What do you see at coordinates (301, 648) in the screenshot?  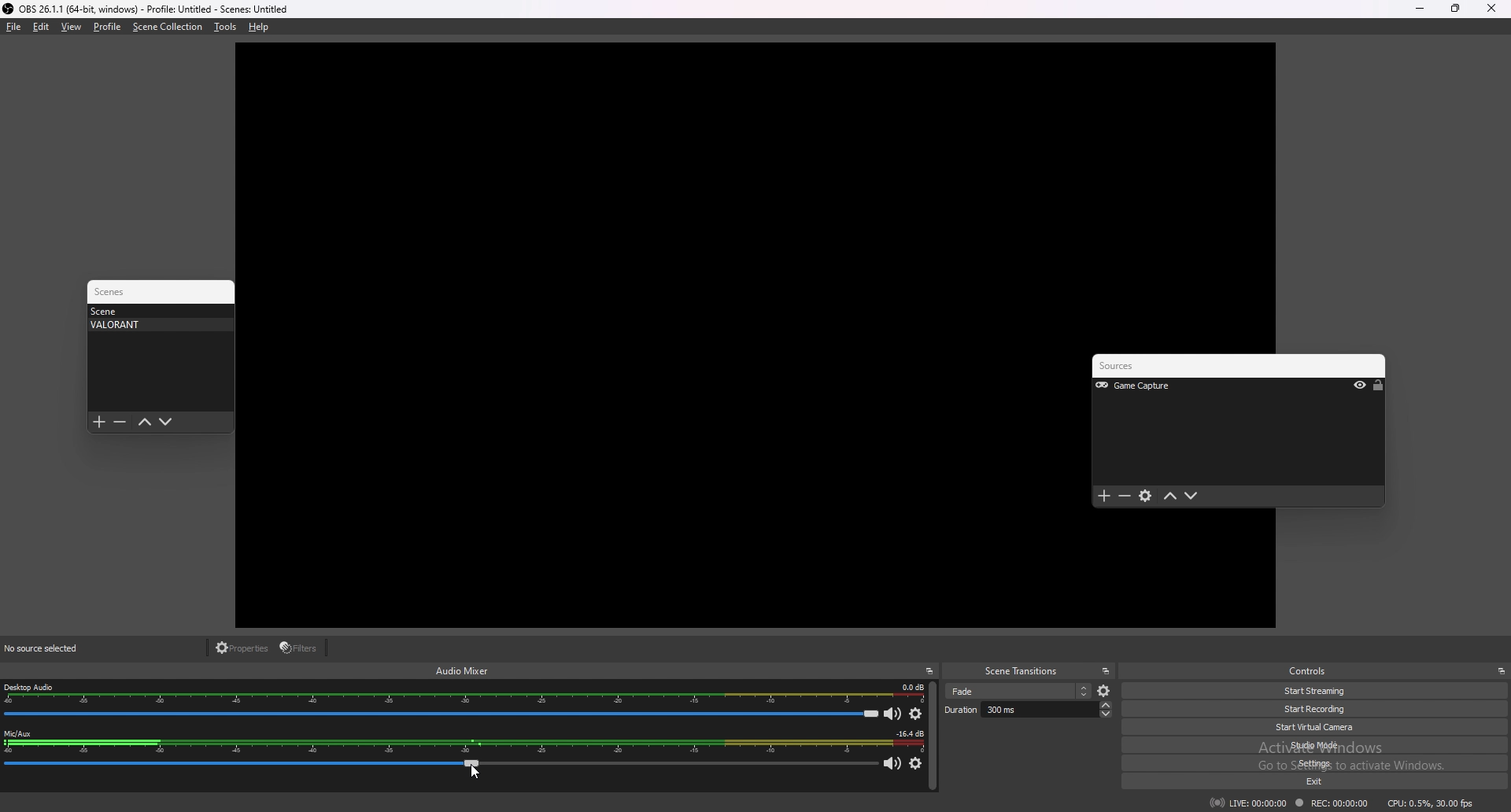 I see `filters` at bounding box center [301, 648].